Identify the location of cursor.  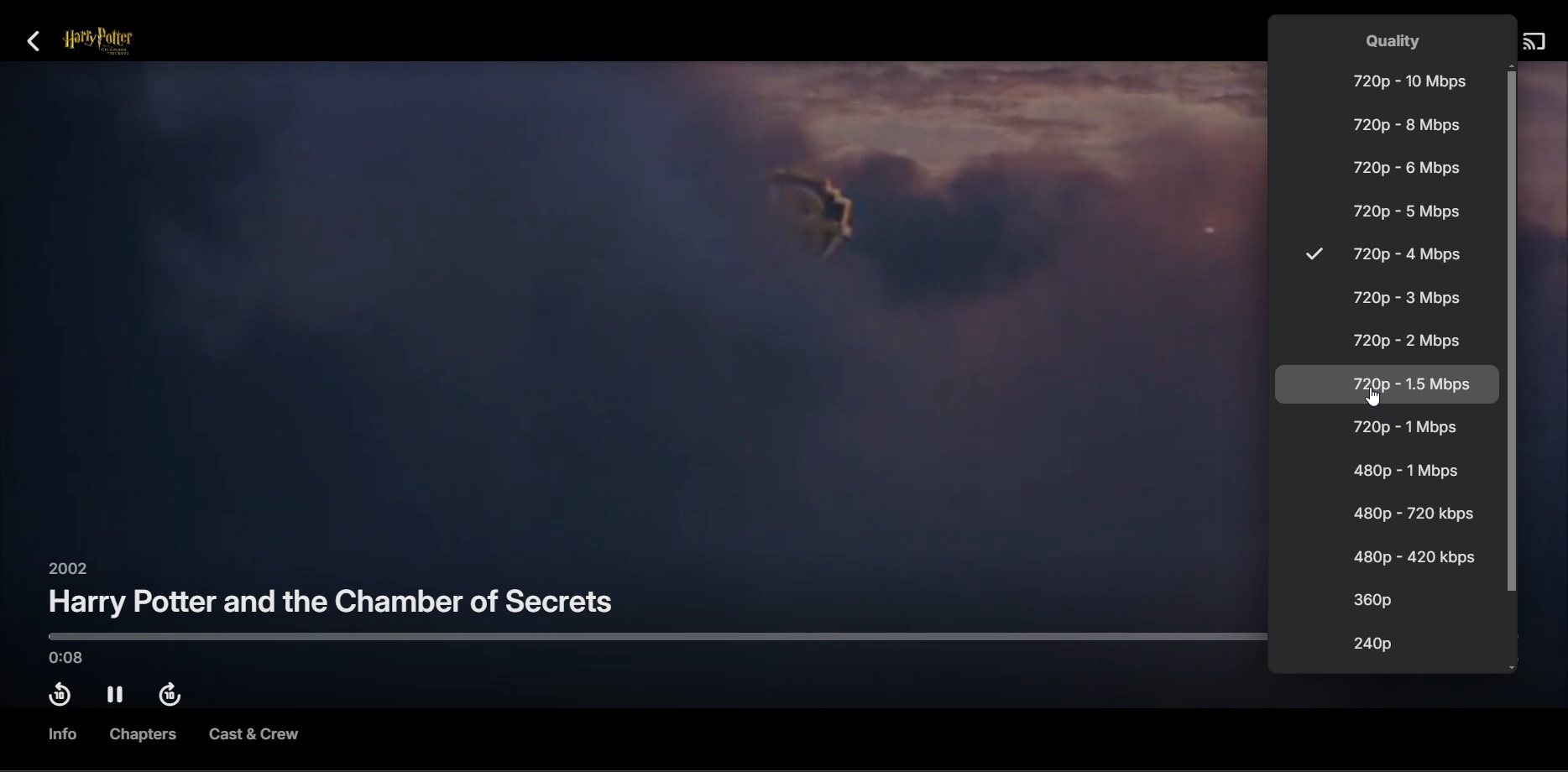
(1374, 394).